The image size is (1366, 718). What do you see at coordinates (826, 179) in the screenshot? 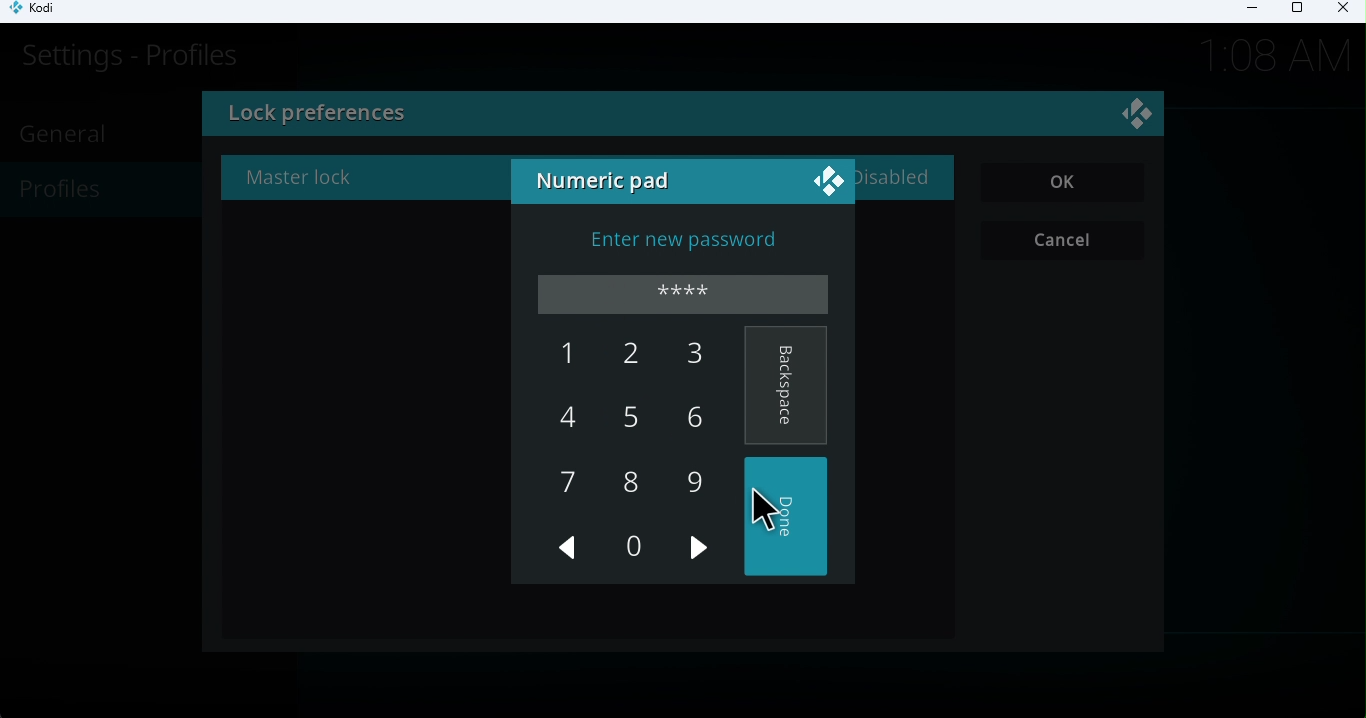
I see `logo` at bounding box center [826, 179].